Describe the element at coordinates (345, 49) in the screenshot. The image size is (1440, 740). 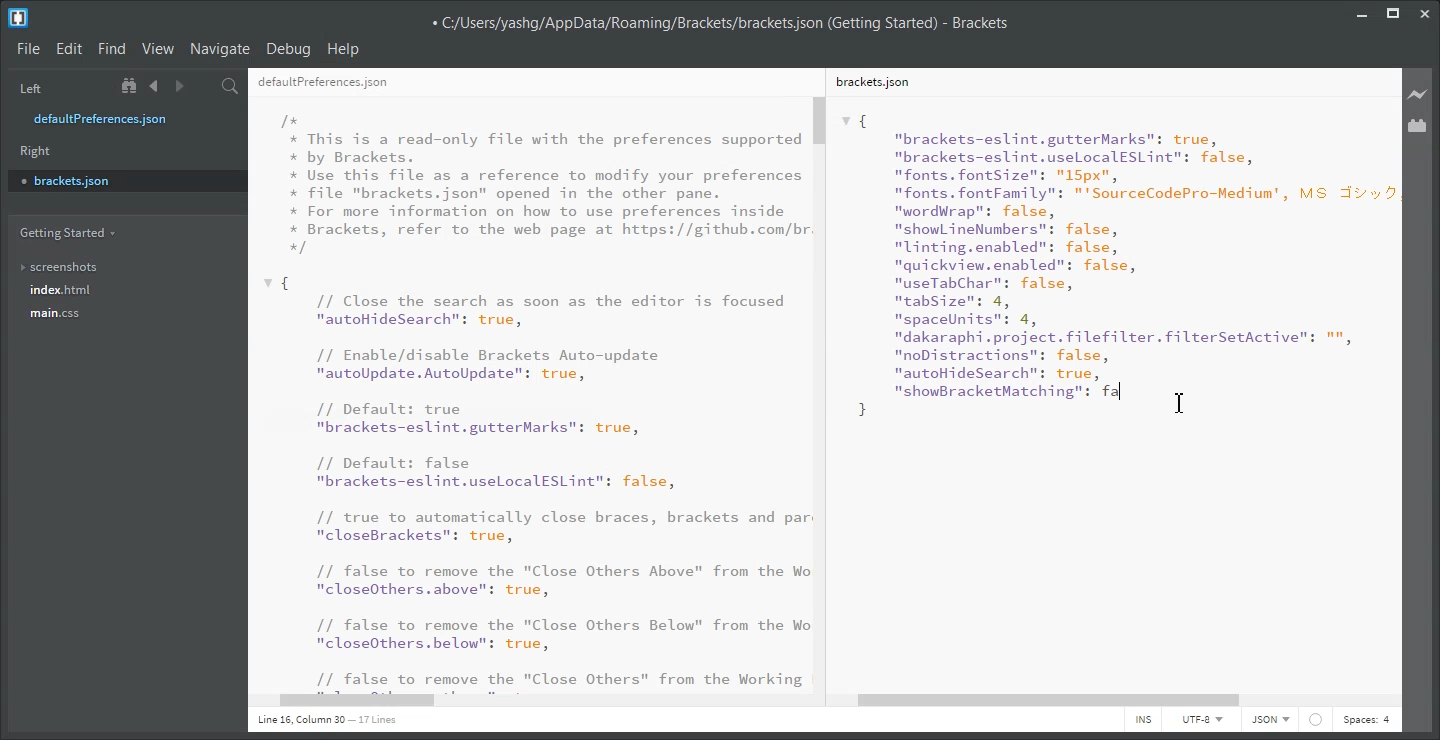
I see `Help` at that location.